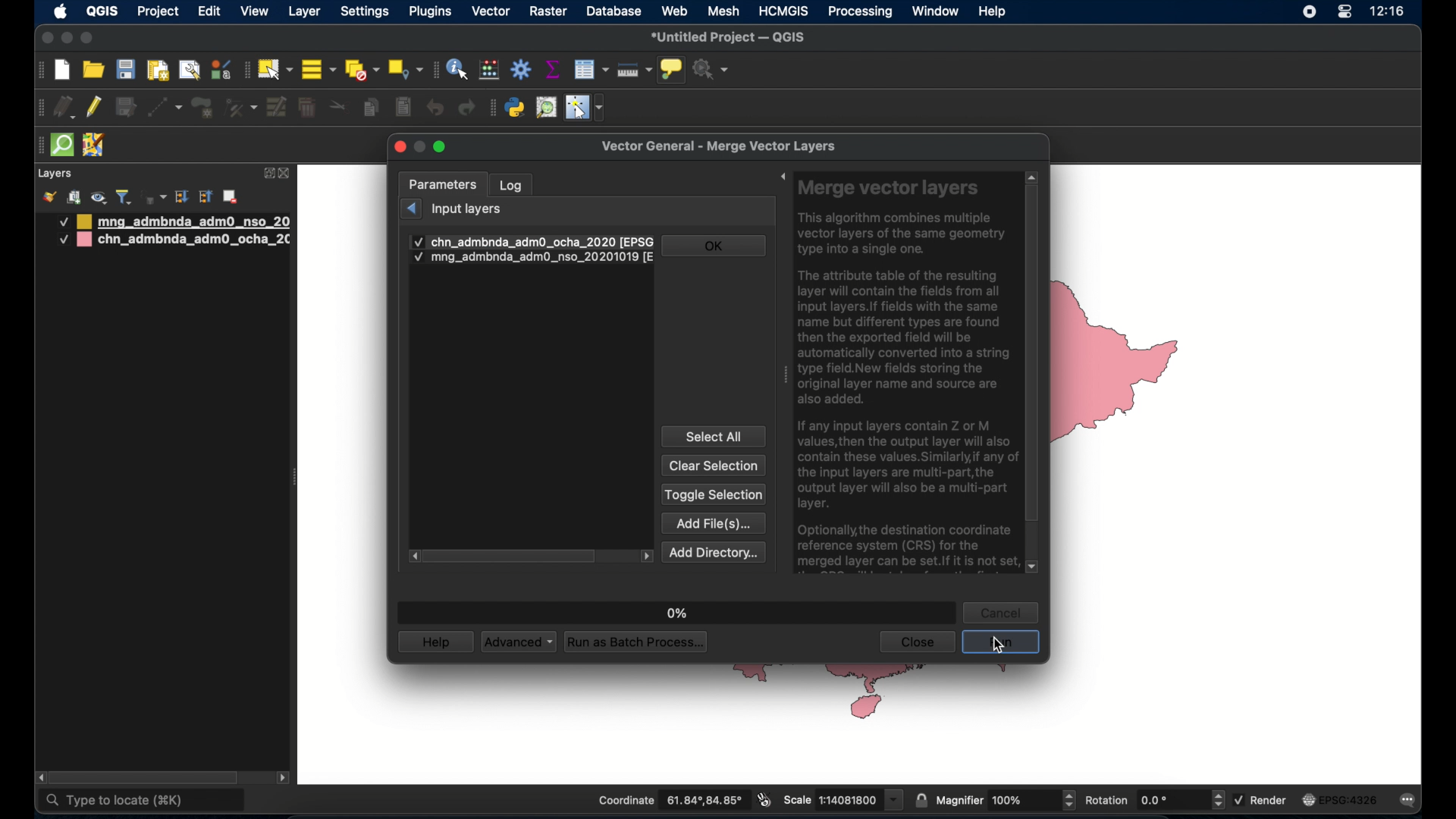  I want to click on plugins toolbar, so click(491, 106).